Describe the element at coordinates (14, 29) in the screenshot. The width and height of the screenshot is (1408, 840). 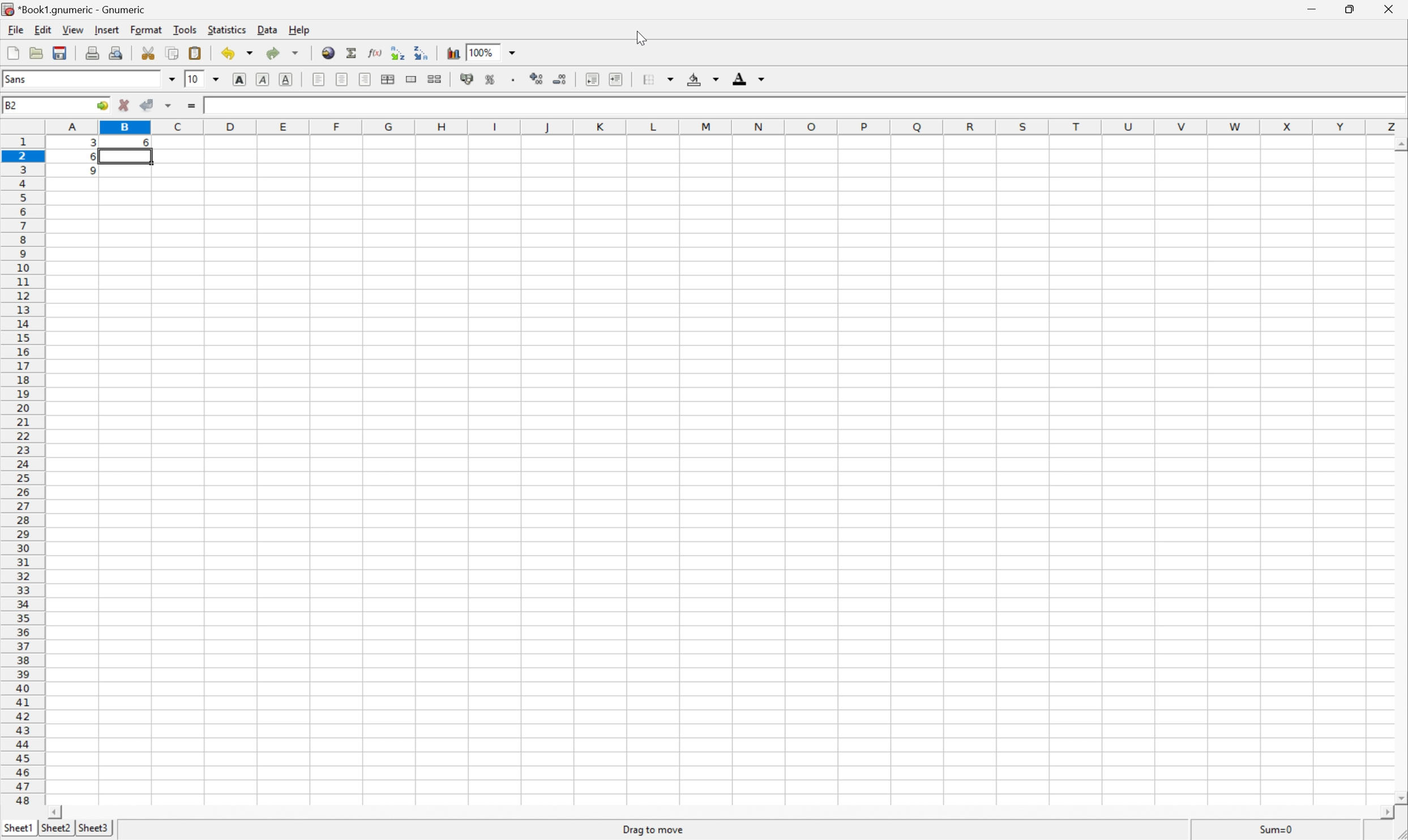
I see `File` at that location.